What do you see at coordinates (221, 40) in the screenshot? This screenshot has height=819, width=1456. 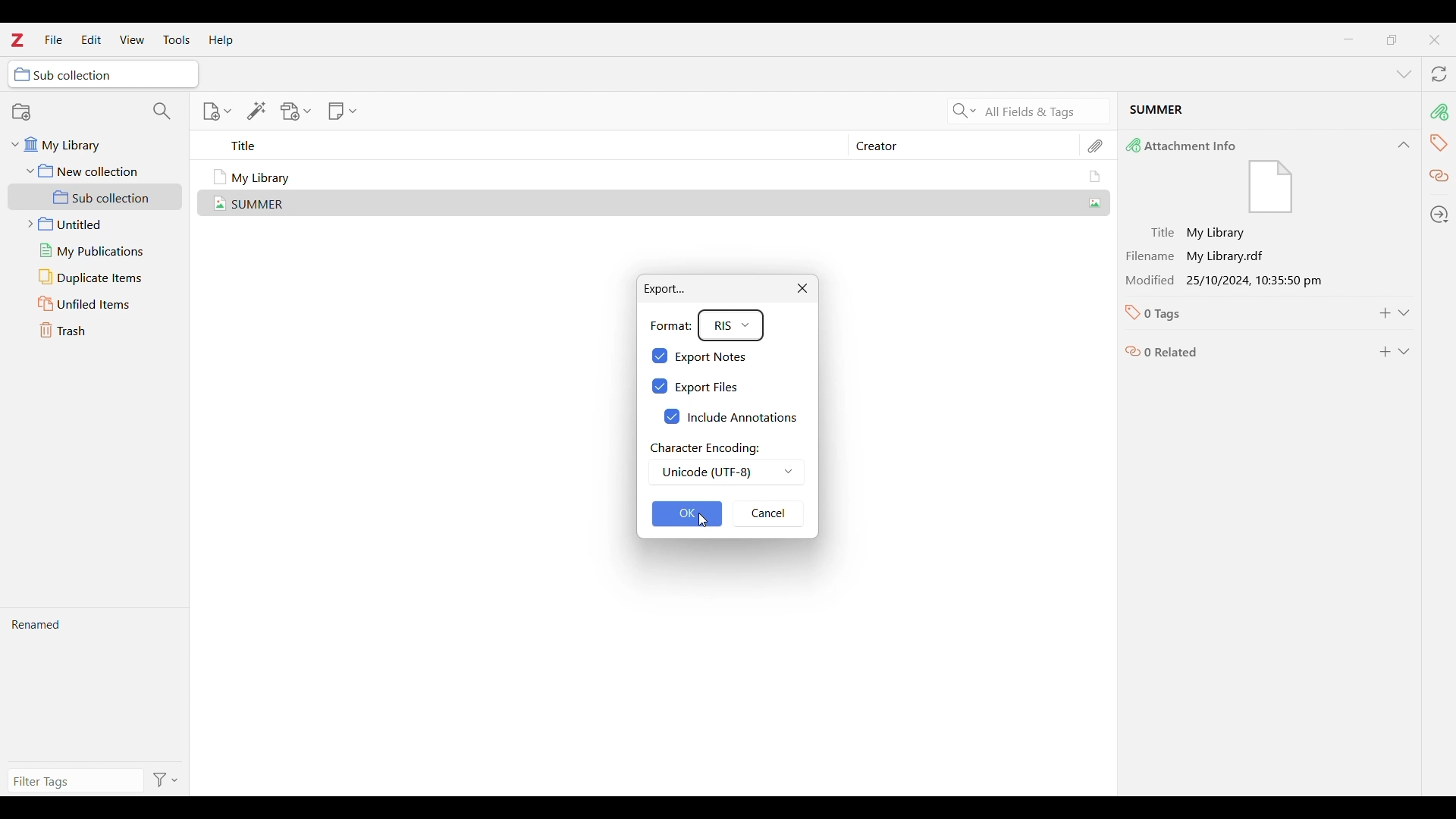 I see `Help menu` at bounding box center [221, 40].